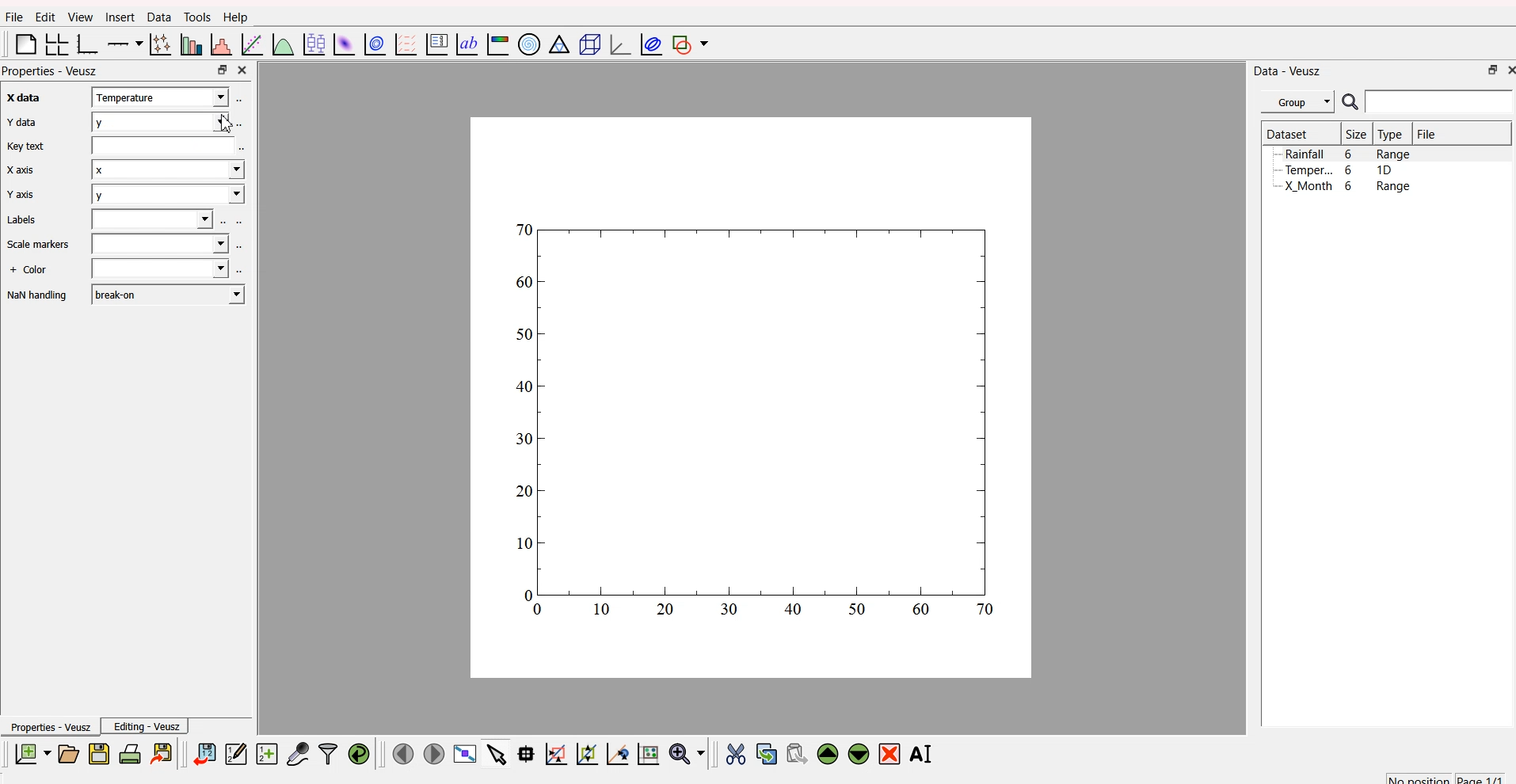 The width and height of the screenshot is (1516, 784). Describe the element at coordinates (158, 270) in the screenshot. I see `field` at that location.